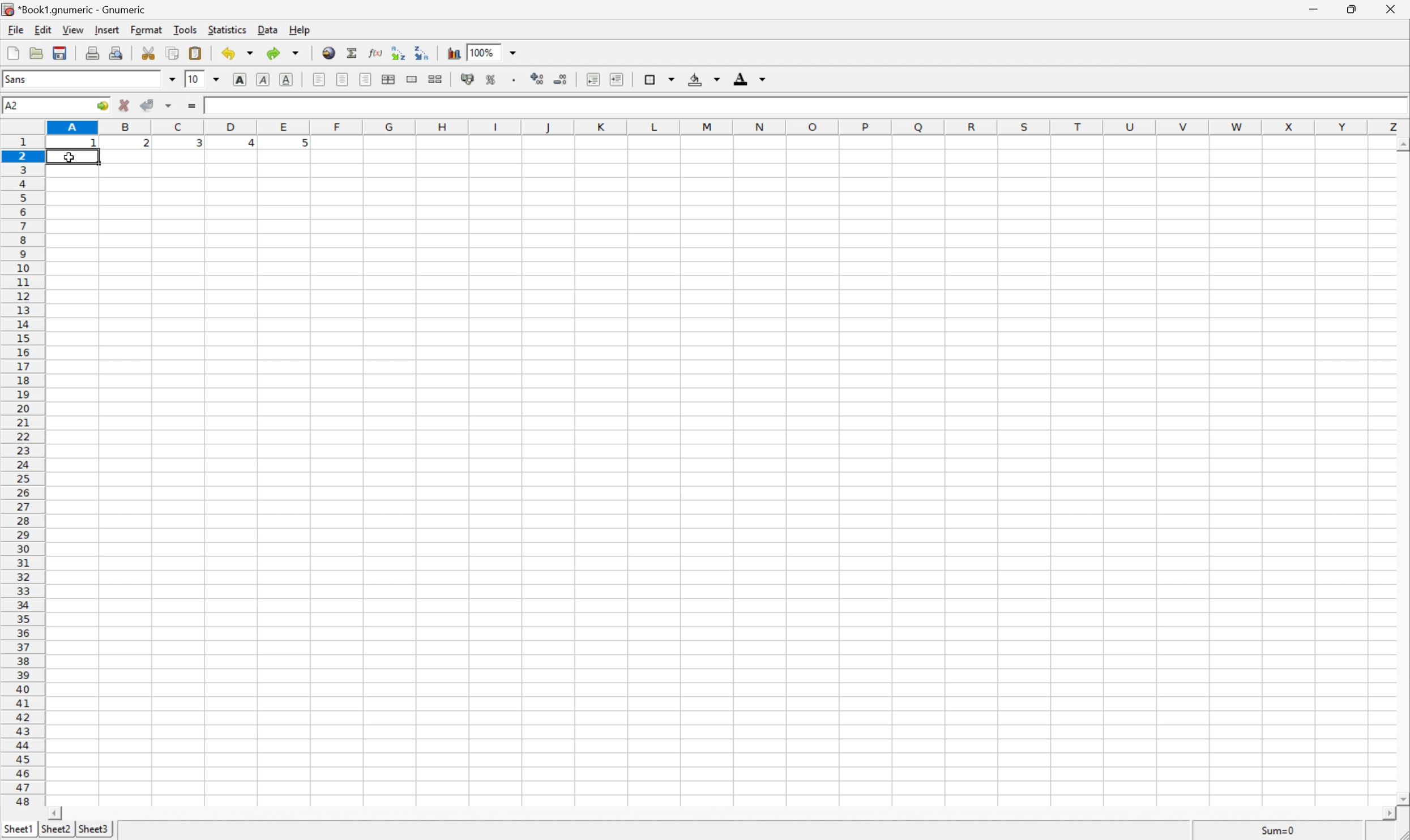 This screenshot has height=840, width=1410. Describe the element at coordinates (242, 79) in the screenshot. I see `bold` at that location.